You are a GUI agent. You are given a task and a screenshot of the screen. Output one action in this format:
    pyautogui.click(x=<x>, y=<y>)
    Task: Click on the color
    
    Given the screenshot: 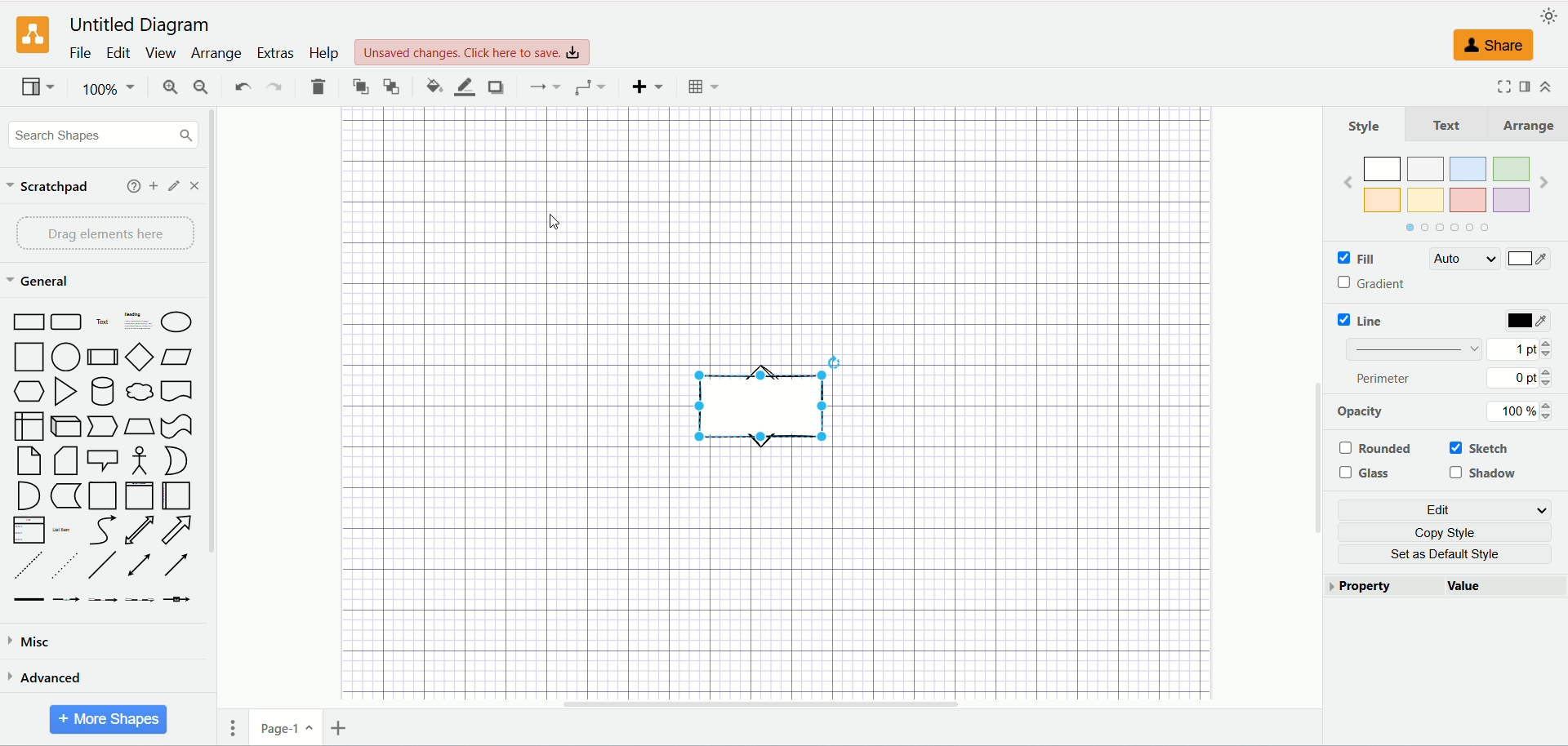 What is the action you would take?
    pyautogui.click(x=1528, y=260)
    